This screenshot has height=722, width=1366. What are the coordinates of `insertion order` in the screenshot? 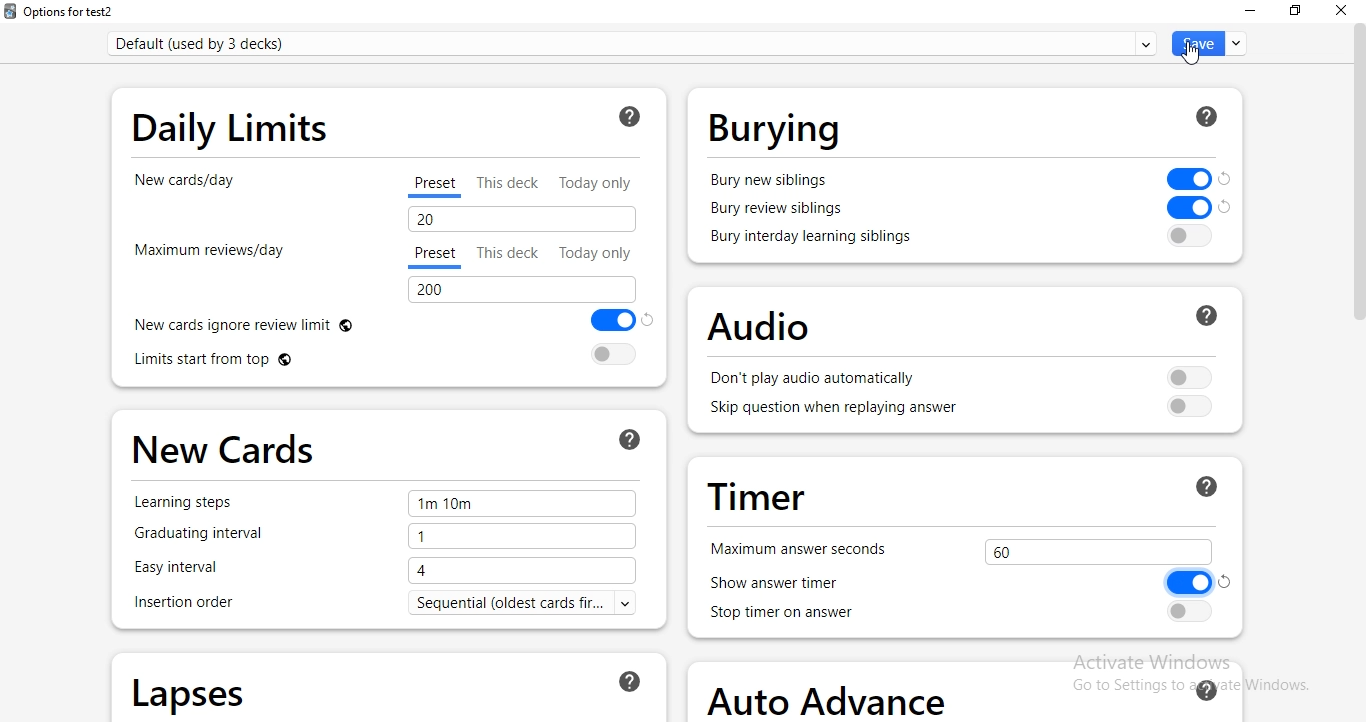 It's located at (184, 602).